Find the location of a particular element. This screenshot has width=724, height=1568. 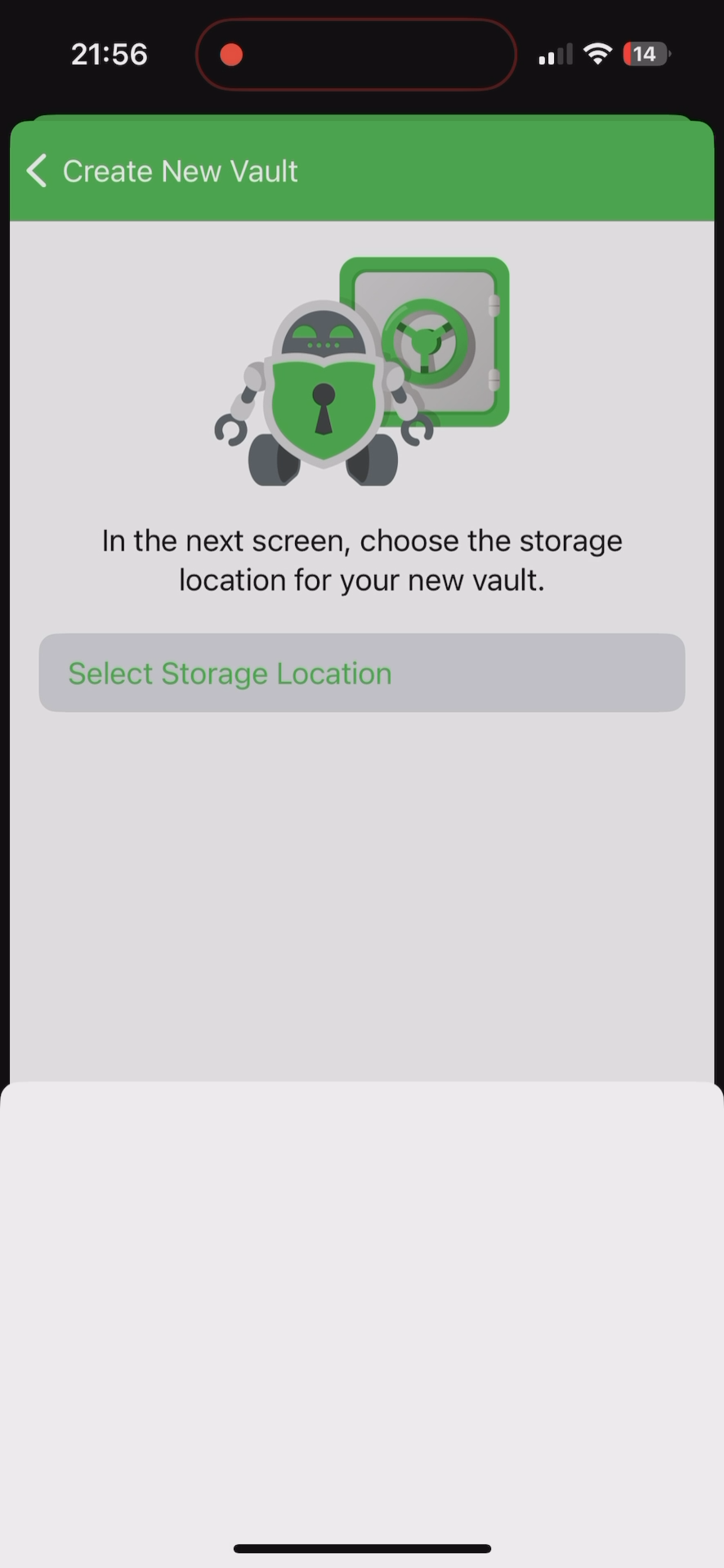

battery is located at coordinates (646, 56).